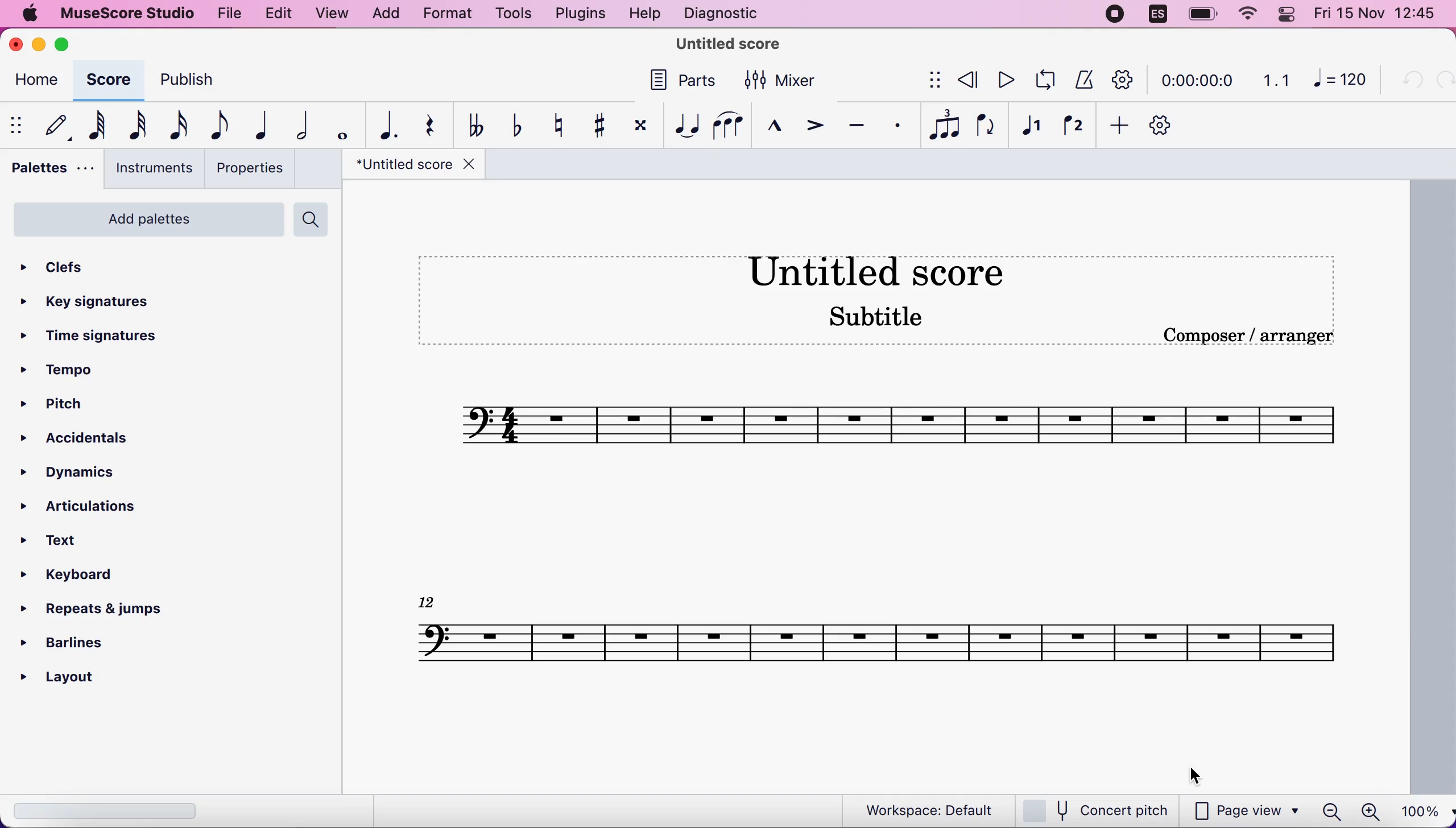 This screenshot has width=1456, height=828. What do you see at coordinates (331, 14) in the screenshot?
I see `view` at bounding box center [331, 14].